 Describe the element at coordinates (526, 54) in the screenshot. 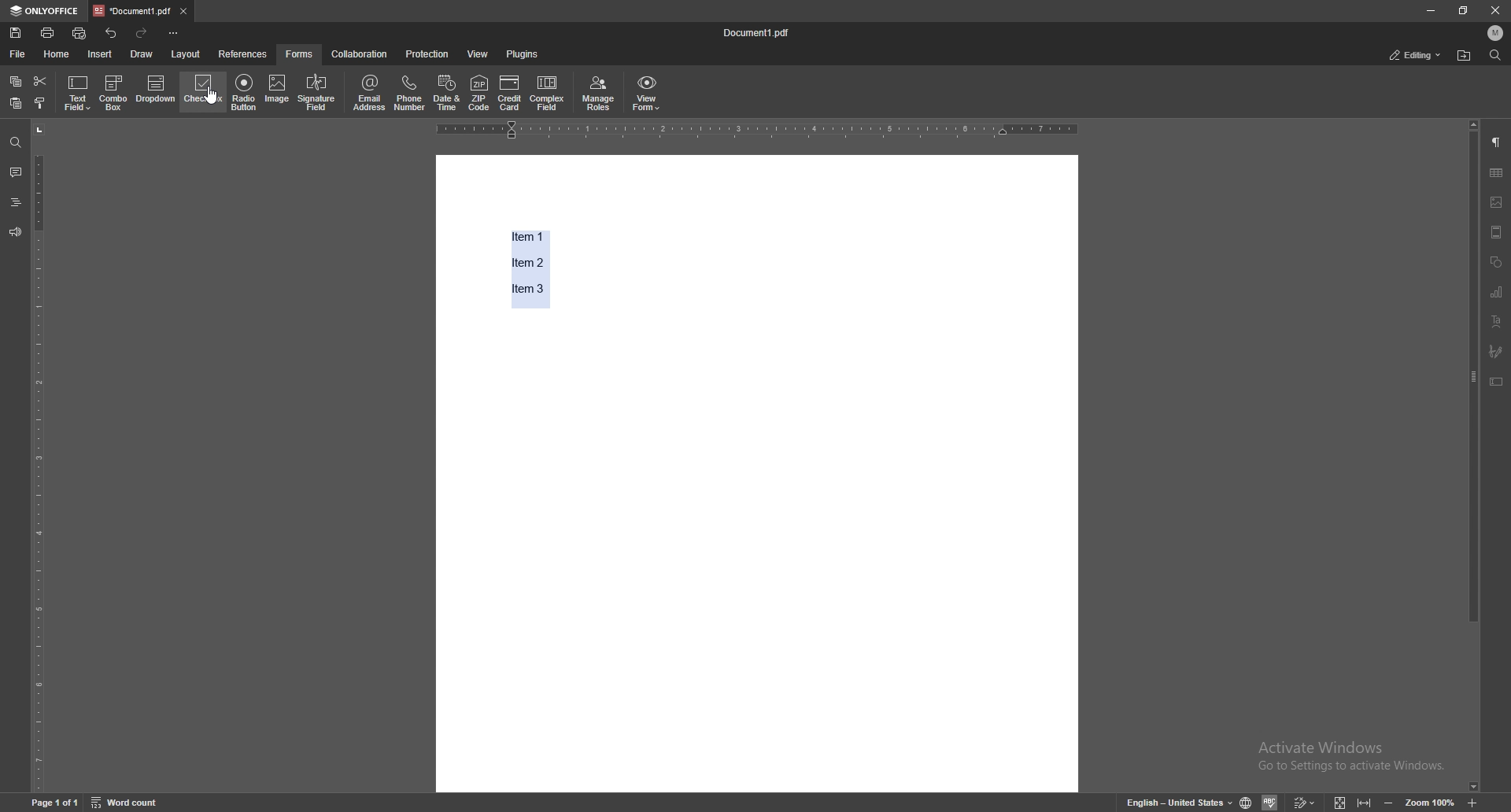

I see `plugins` at that location.